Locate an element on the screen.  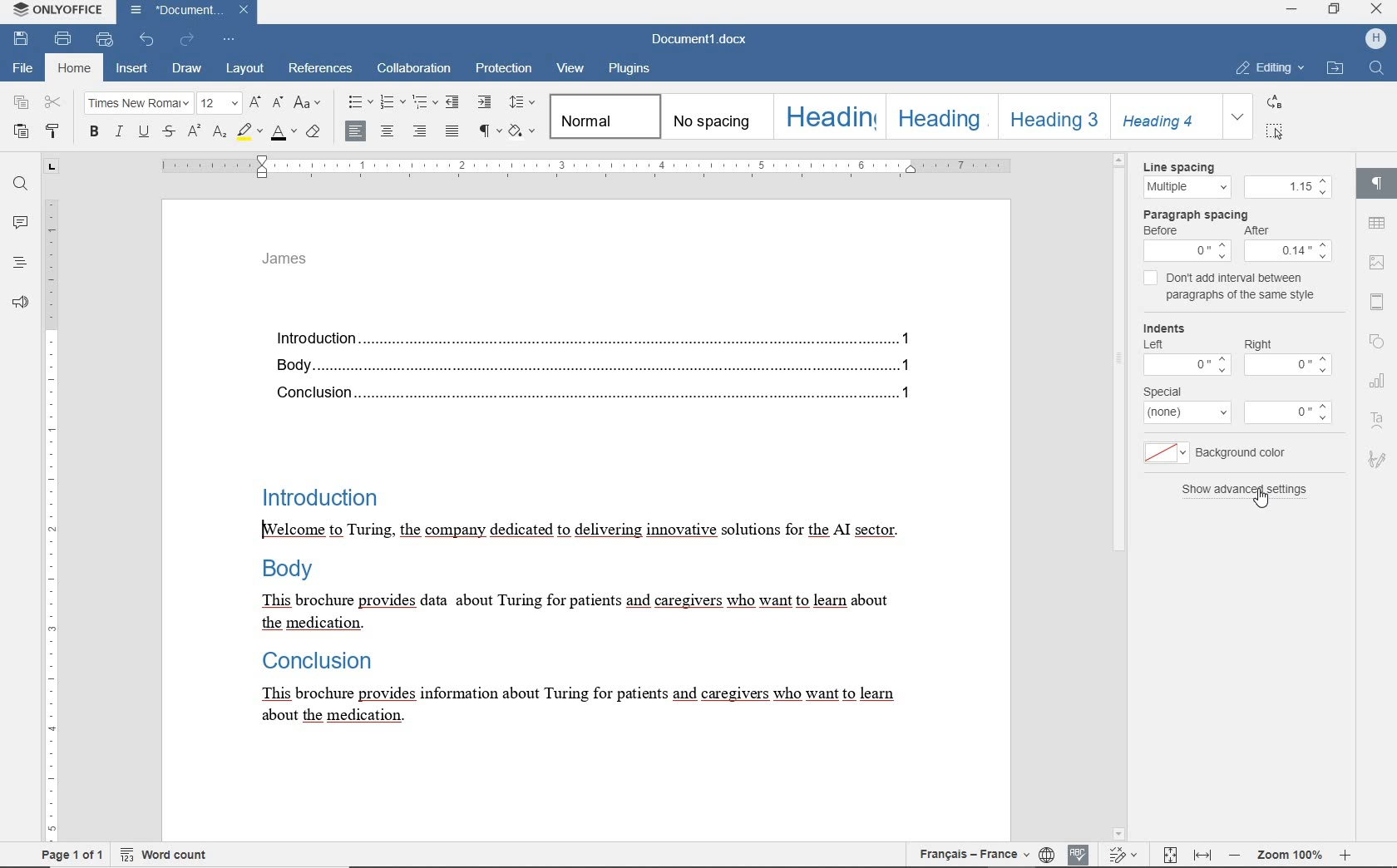
insert is located at coordinates (132, 68).